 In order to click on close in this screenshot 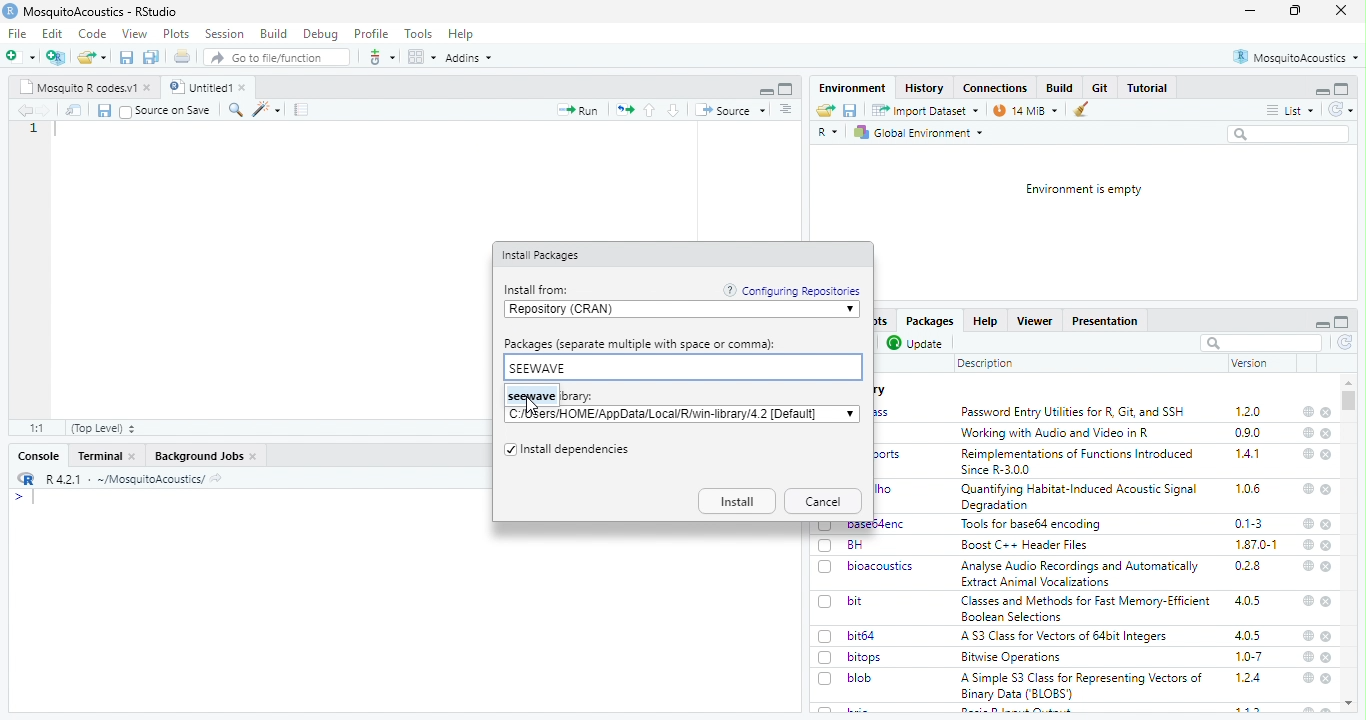, I will do `click(254, 457)`.